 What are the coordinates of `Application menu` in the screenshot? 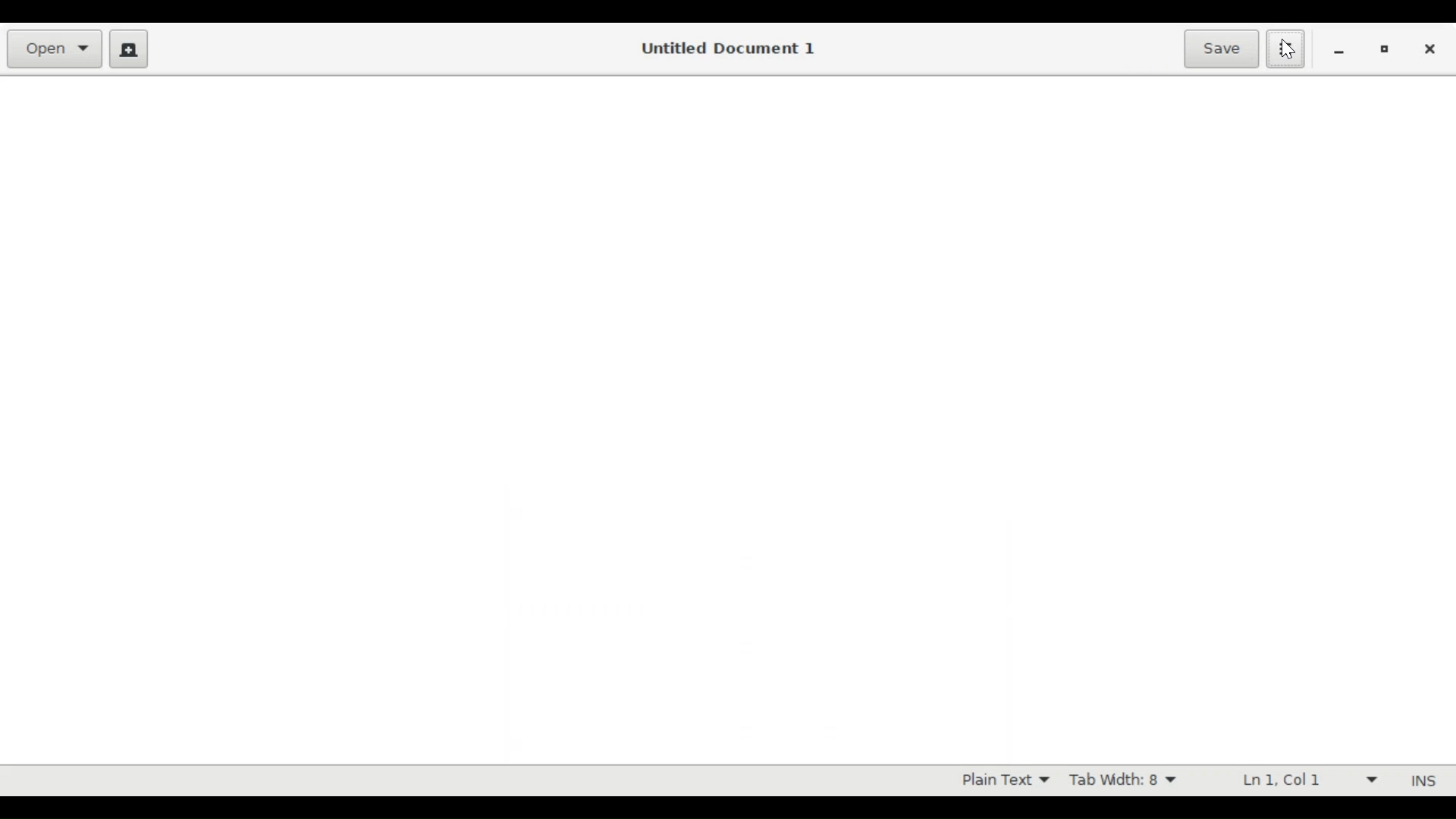 It's located at (1285, 49).